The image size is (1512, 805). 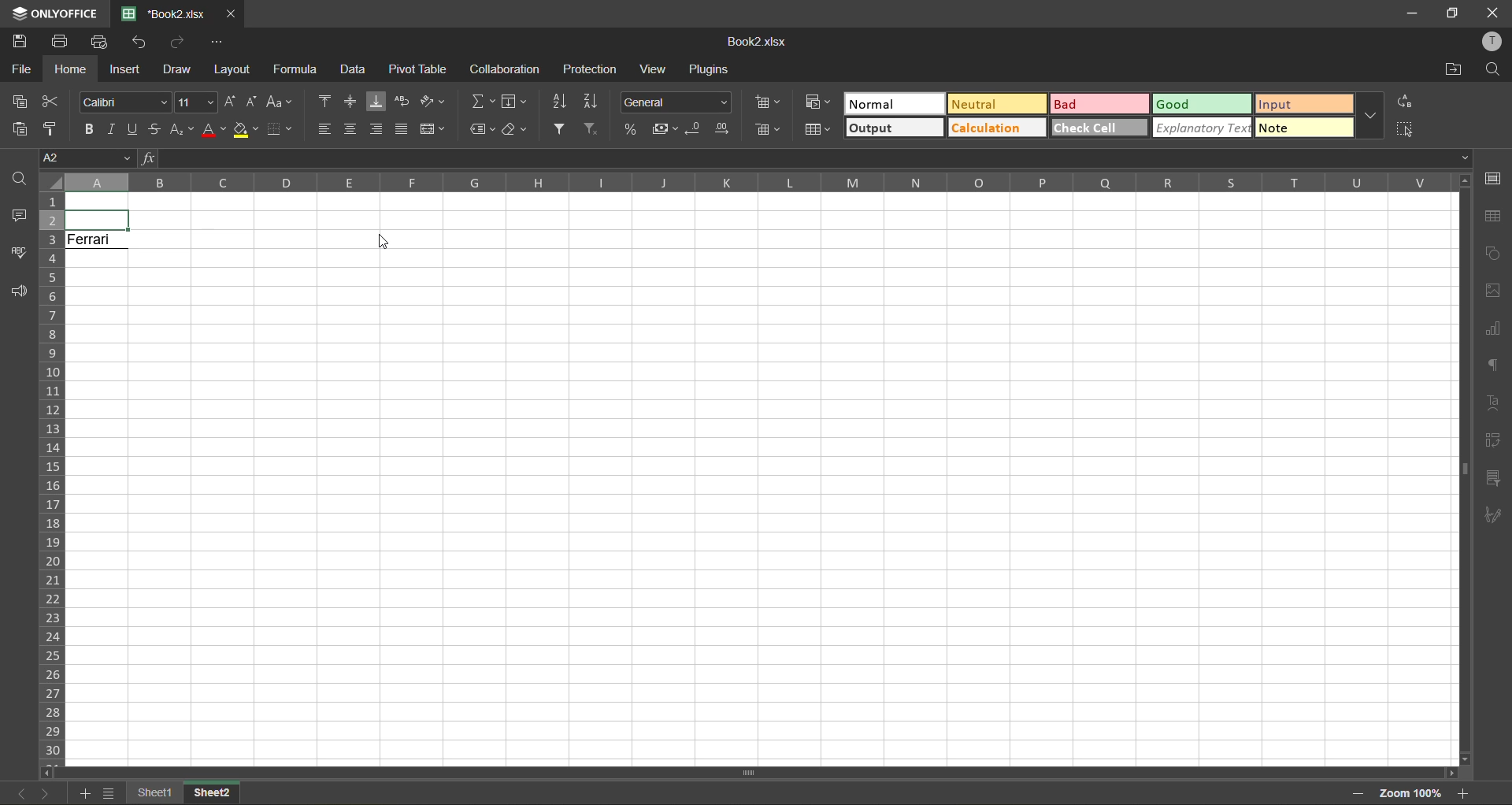 I want to click on align top, so click(x=323, y=101).